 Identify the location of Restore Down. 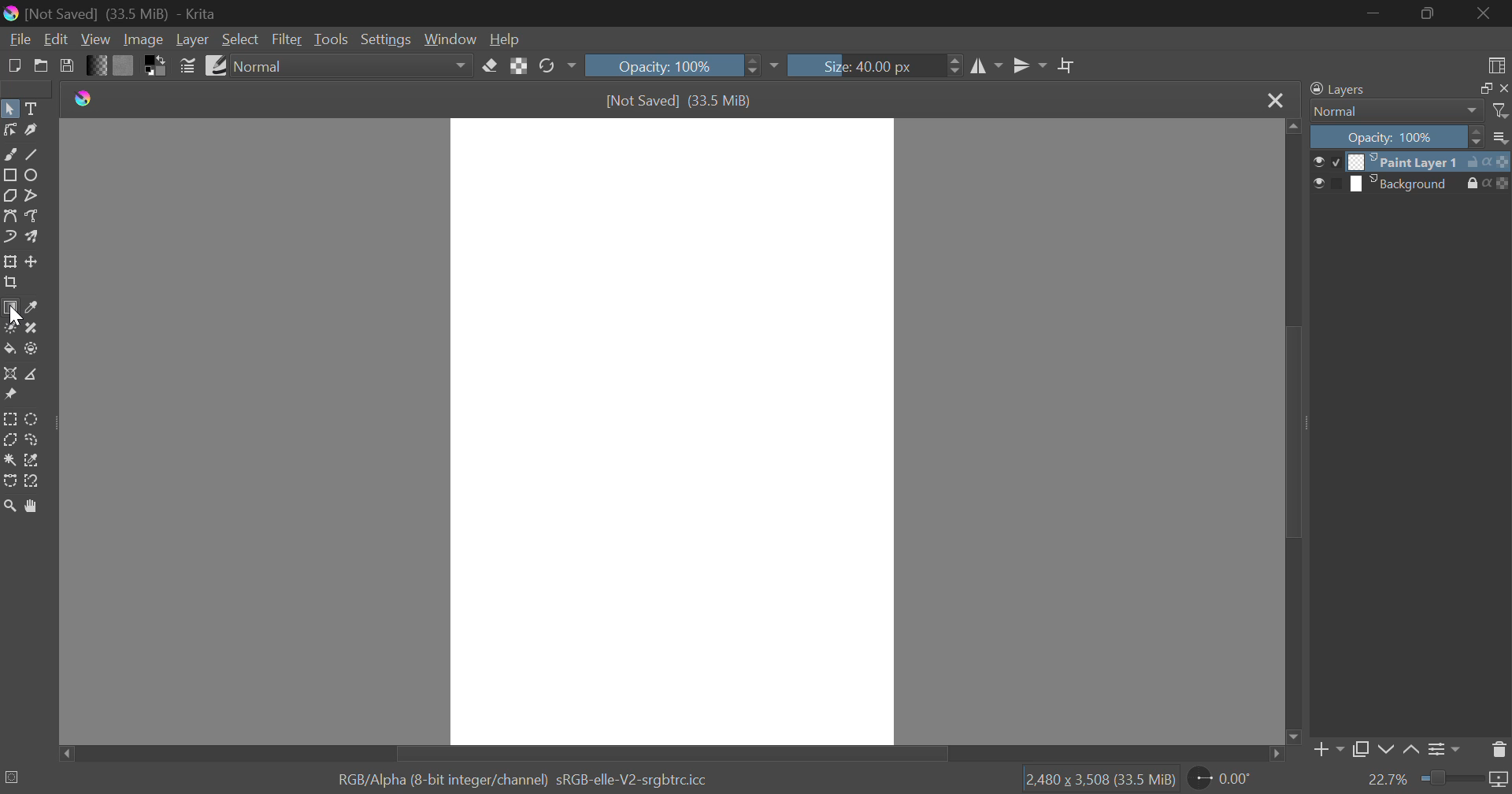
(1375, 13).